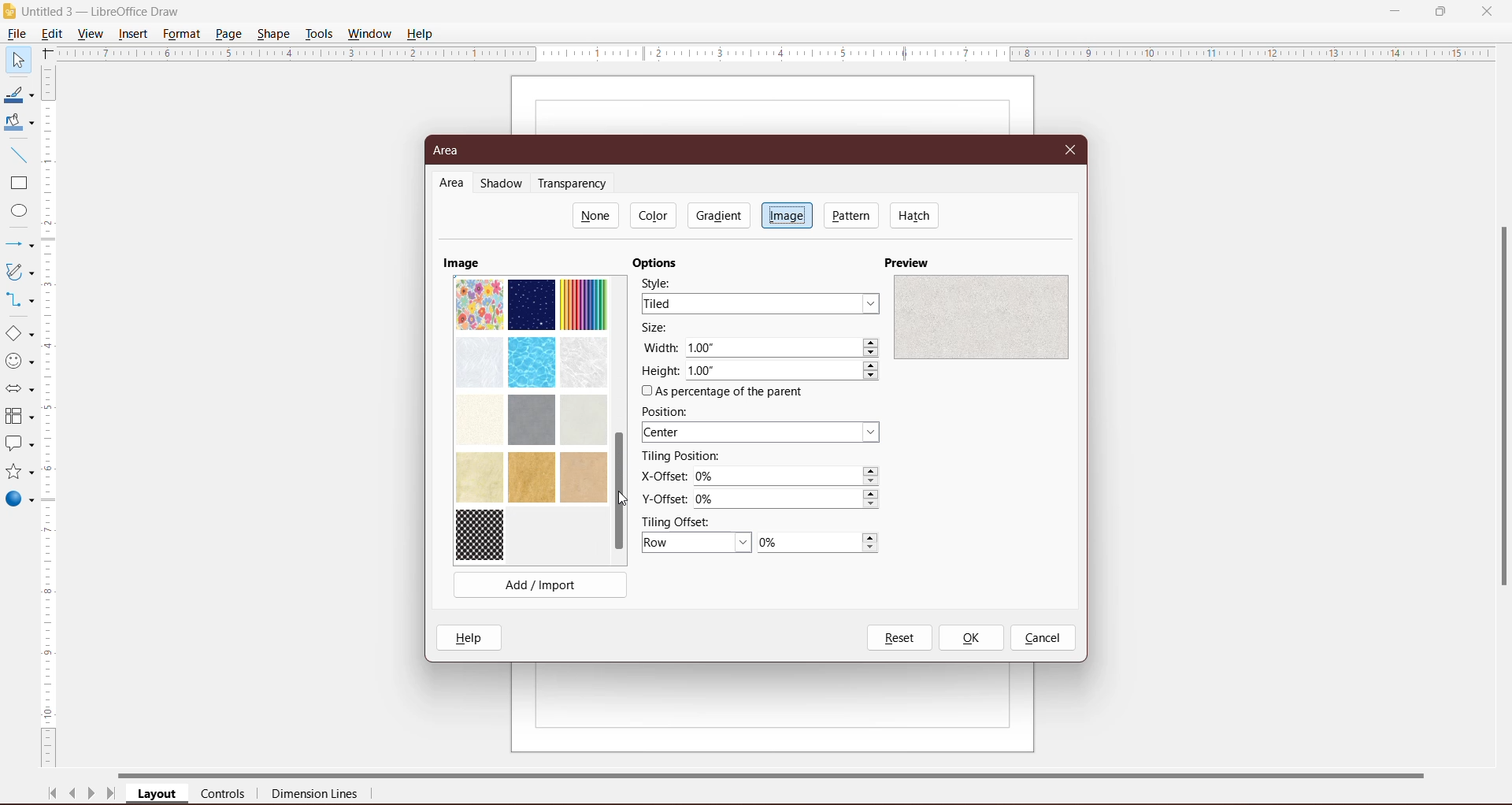 The height and width of the screenshot is (805, 1512). Describe the element at coordinates (980, 316) in the screenshot. I see `preview` at that location.